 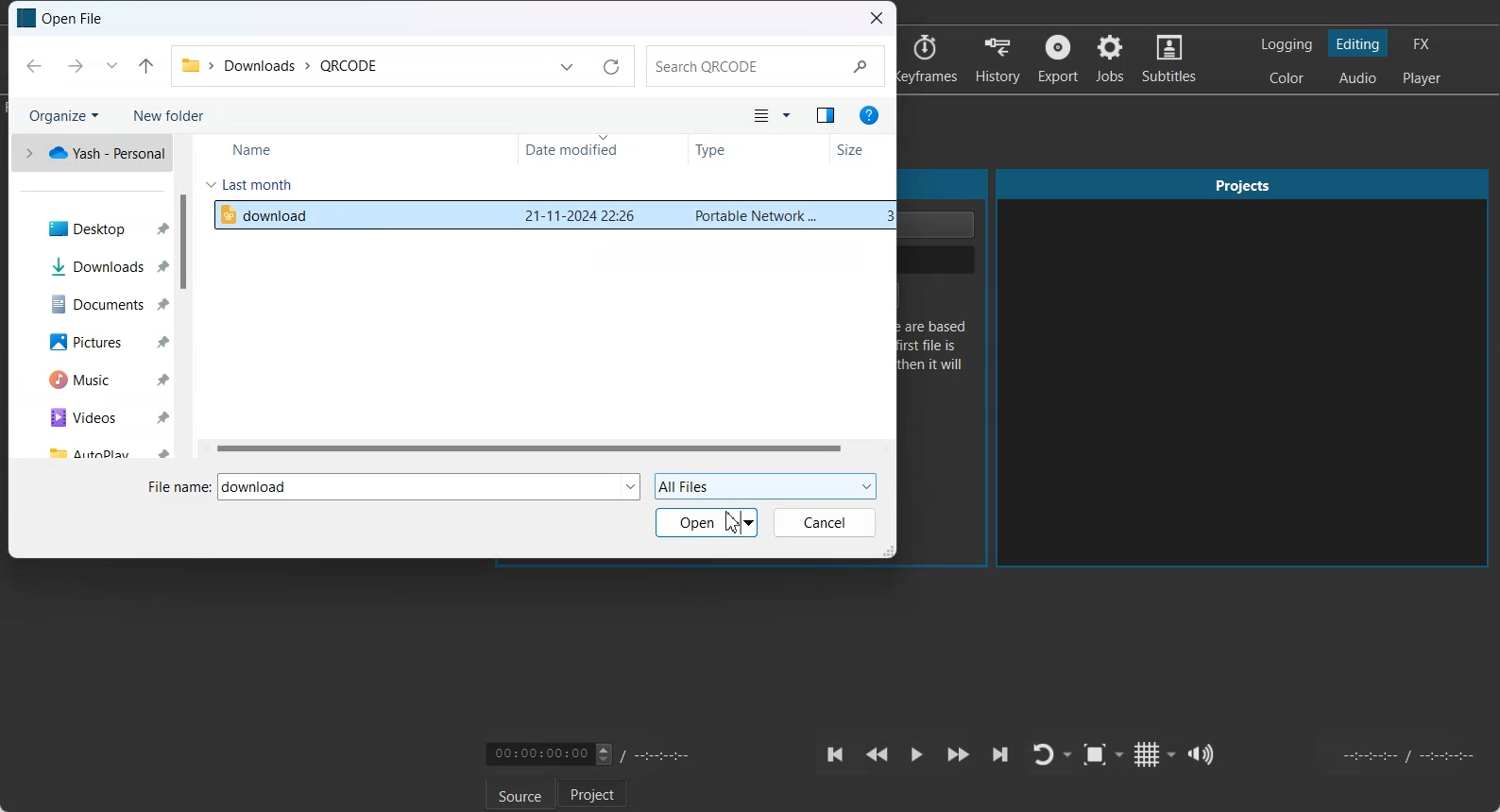 What do you see at coordinates (91, 227) in the screenshot?
I see `Desktop` at bounding box center [91, 227].